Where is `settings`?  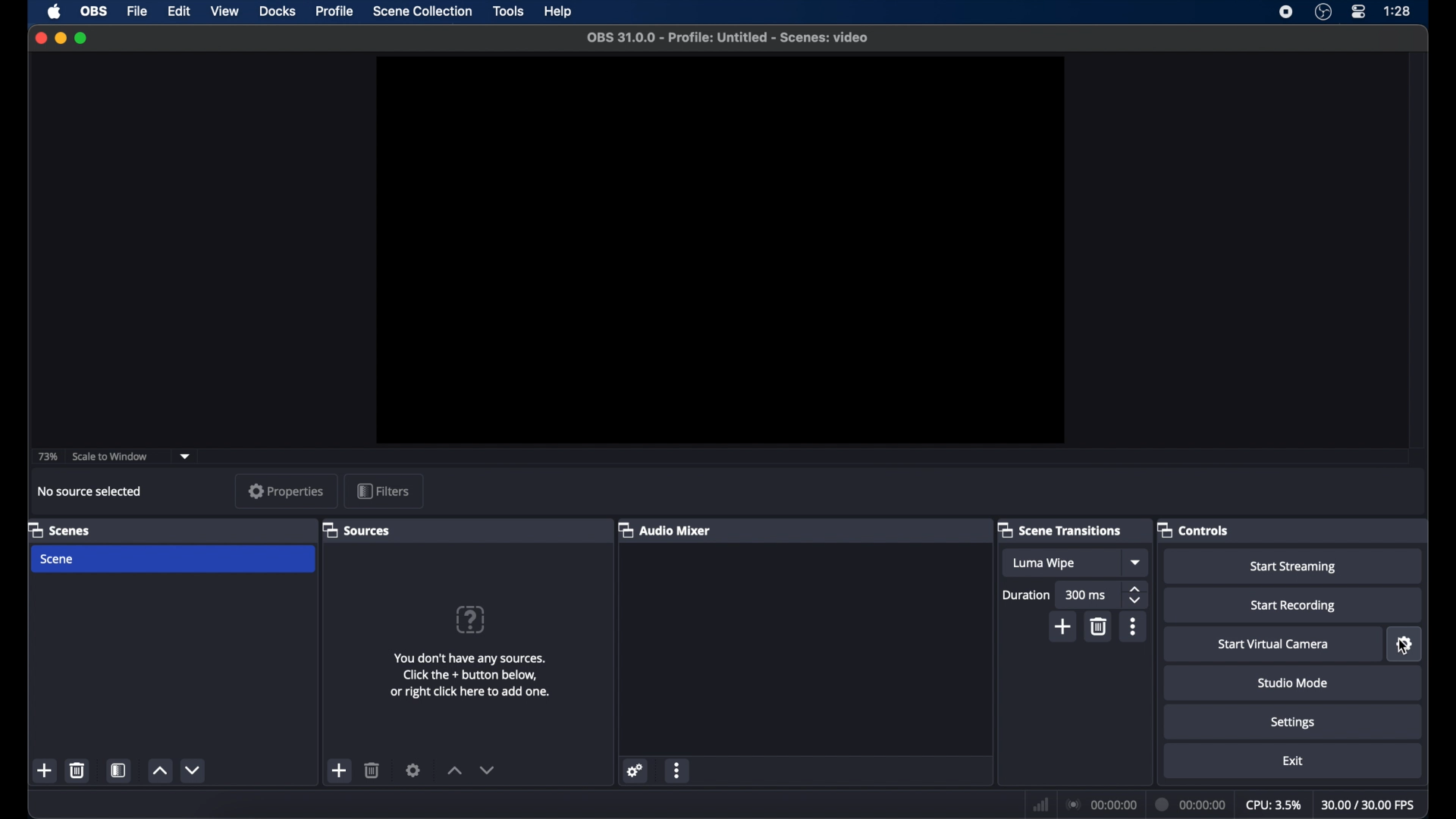
settings is located at coordinates (1293, 722).